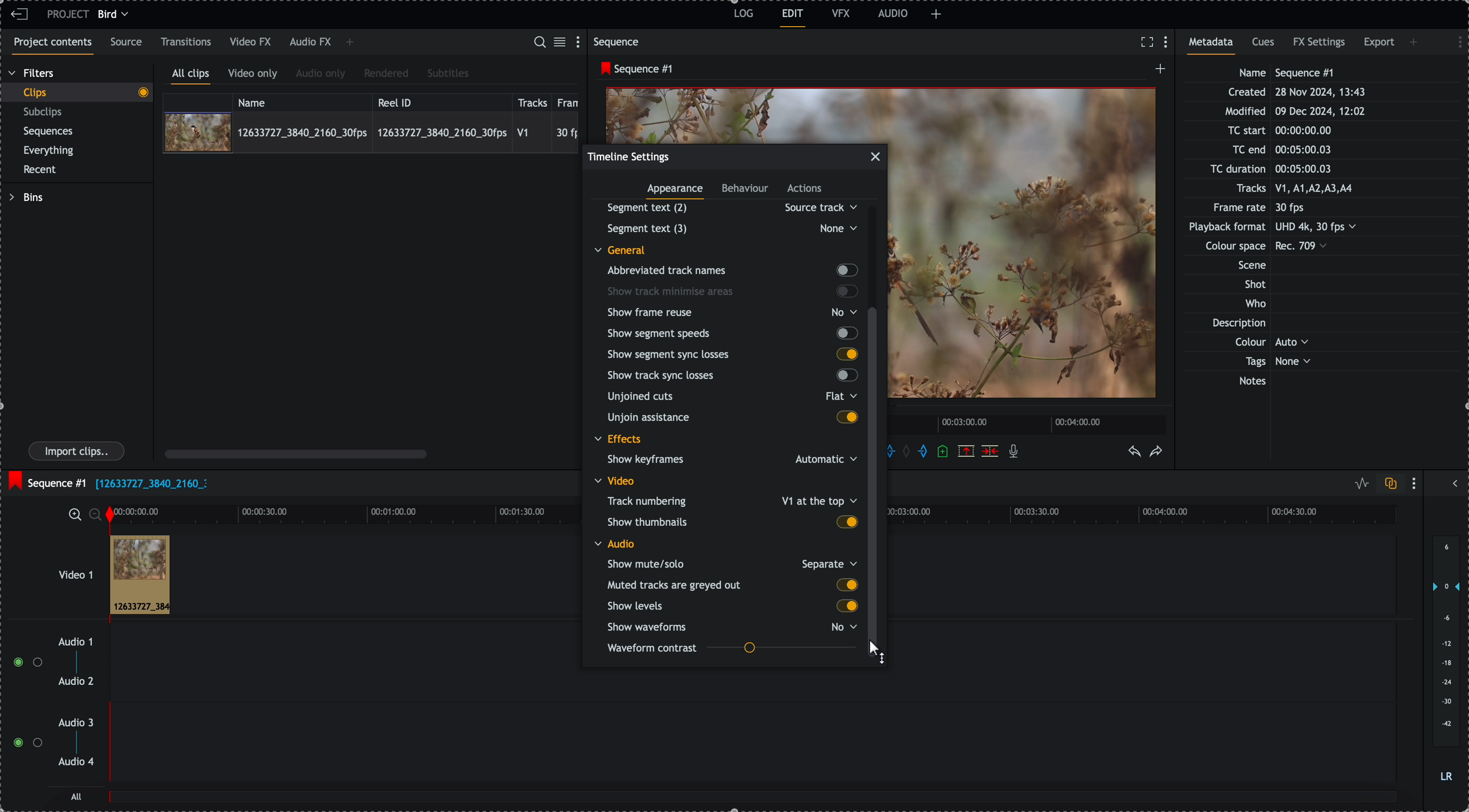 The width and height of the screenshot is (1469, 812). Describe the element at coordinates (186, 42) in the screenshot. I see `transitions` at that location.